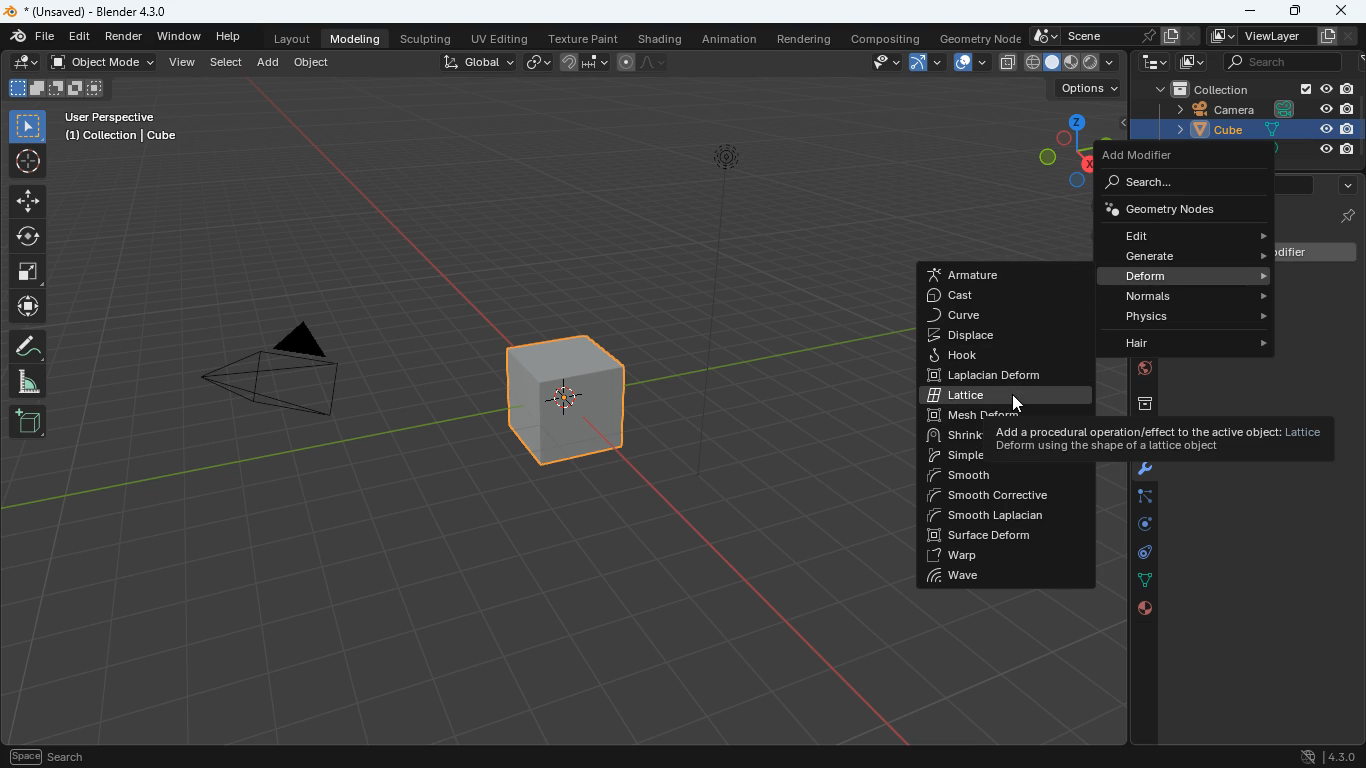 This screenshot has width=1366, height=768. What do you see at coordinates (1287, 61) in the screenshot?
I see `seaarch` at bounding box center [1287, 61].